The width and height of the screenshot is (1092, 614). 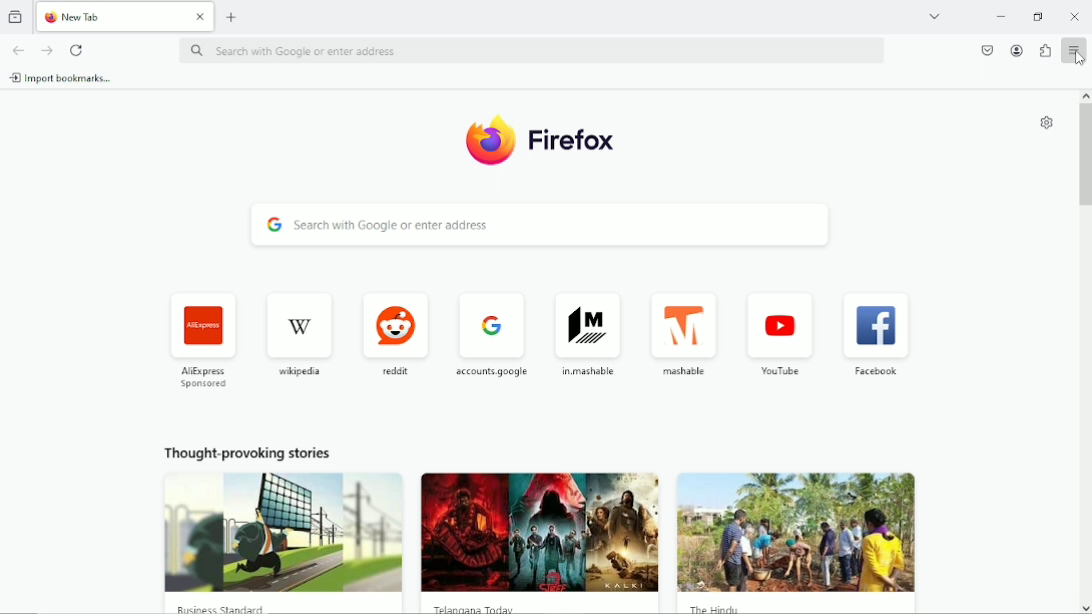 What do you see at coordinates (878, 332) in the screenshot?
I see `facebook` at bounding box center [878, 332].